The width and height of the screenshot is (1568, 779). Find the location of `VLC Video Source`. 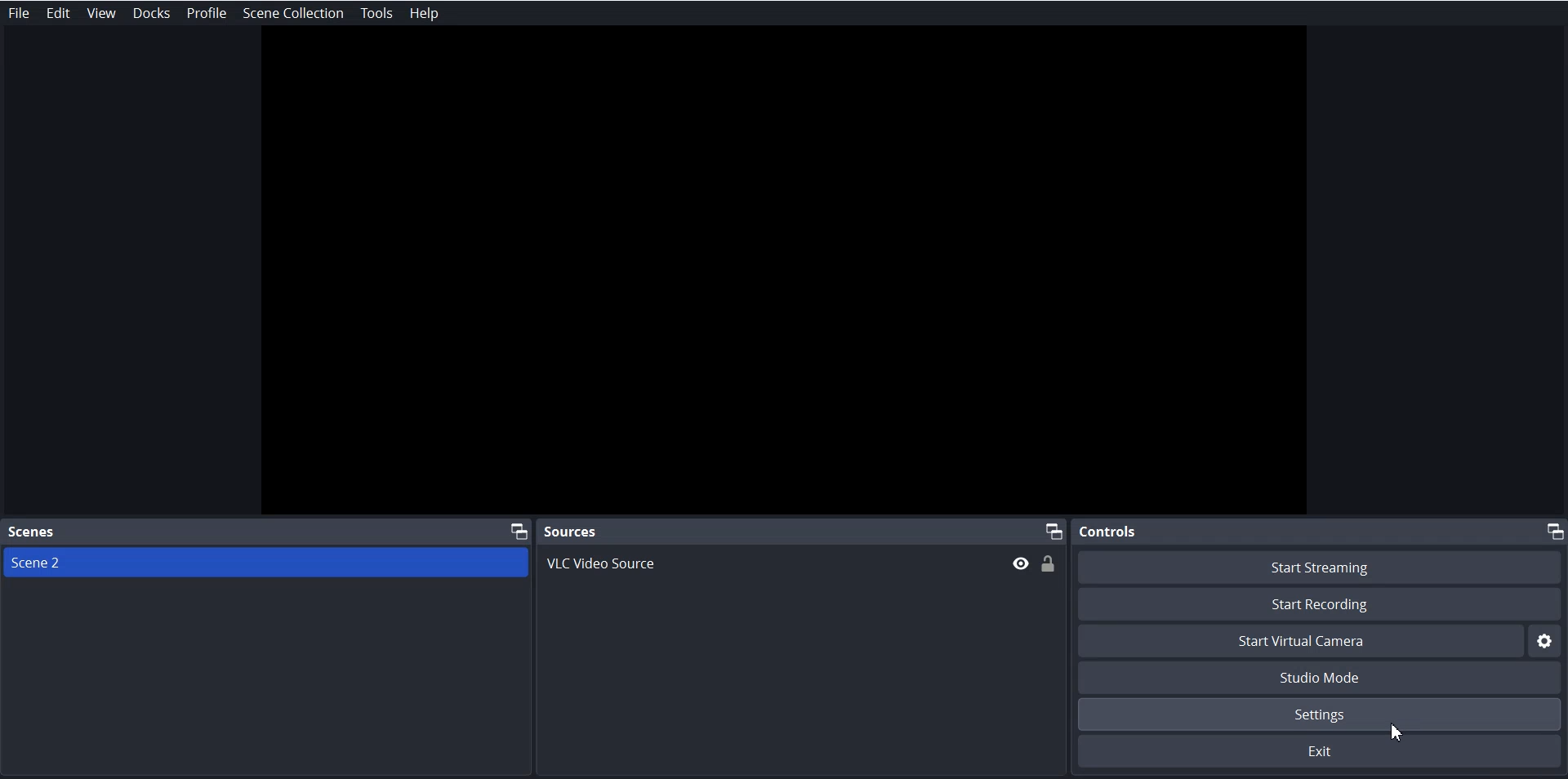

VLC Video Source is located at coordinates (802, 563).